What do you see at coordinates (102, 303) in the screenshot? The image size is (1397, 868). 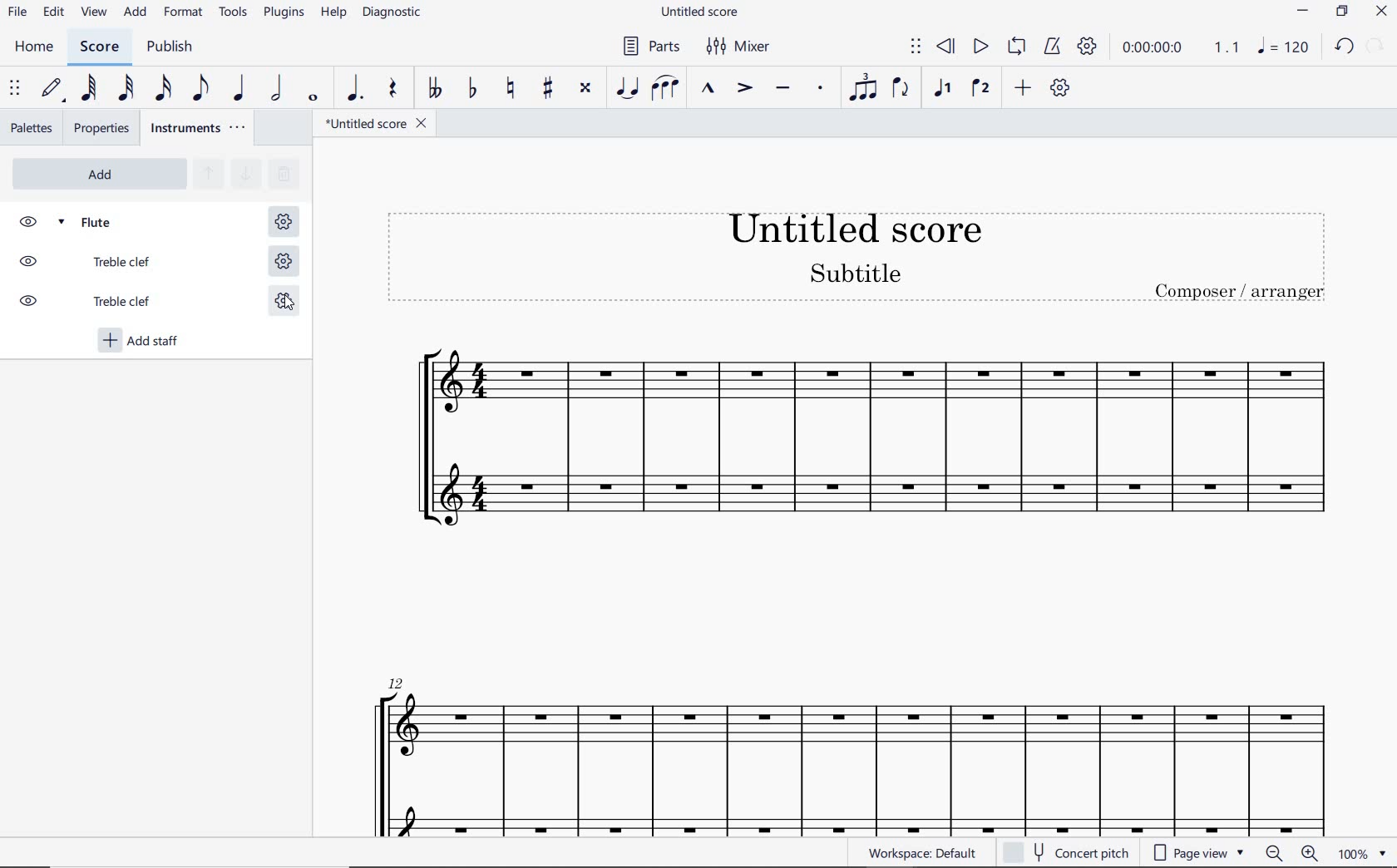 I see `TREBLE CLEF` at bounding box center [102, 303].